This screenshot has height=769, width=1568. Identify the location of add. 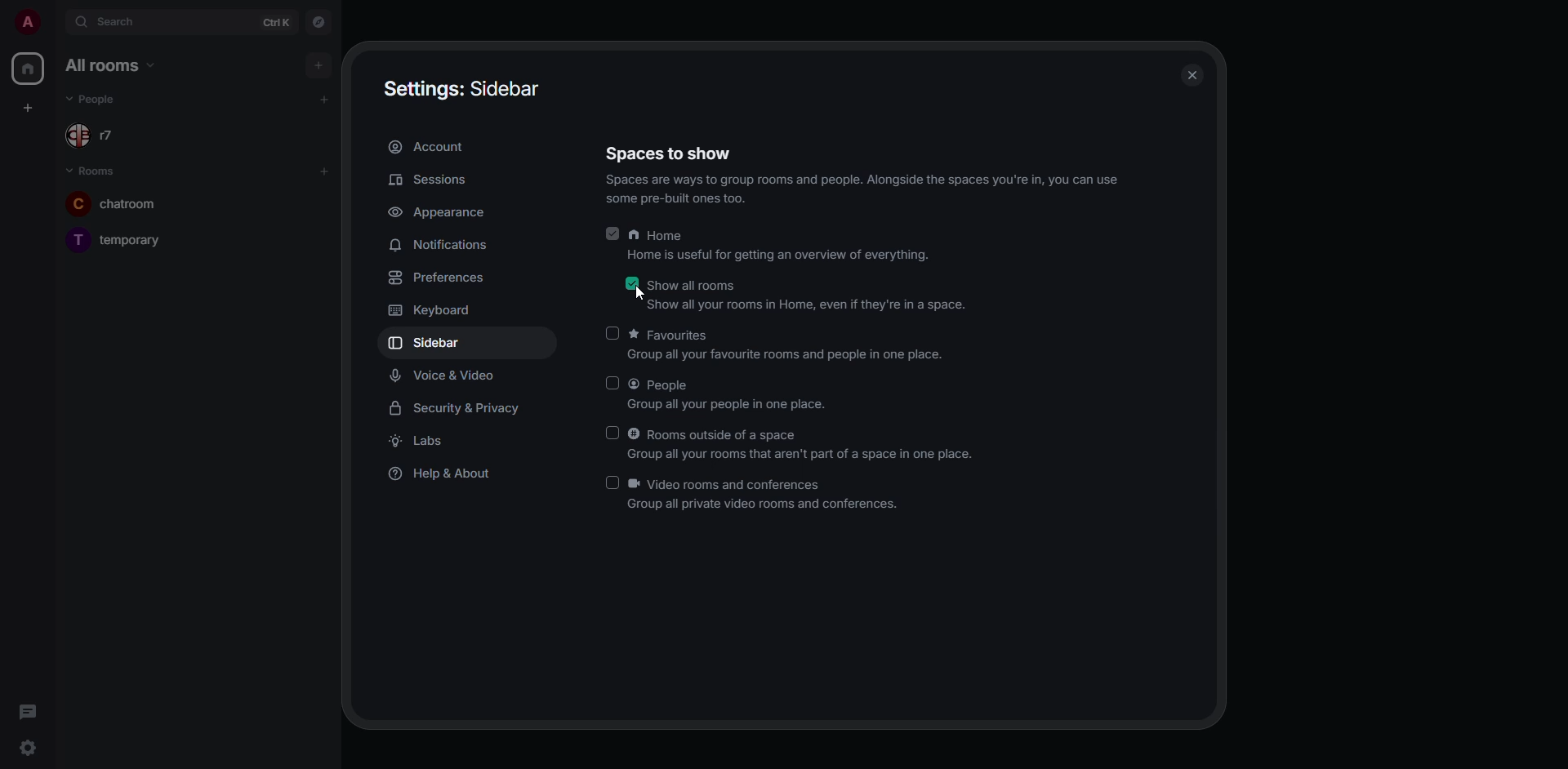
(324, 98).